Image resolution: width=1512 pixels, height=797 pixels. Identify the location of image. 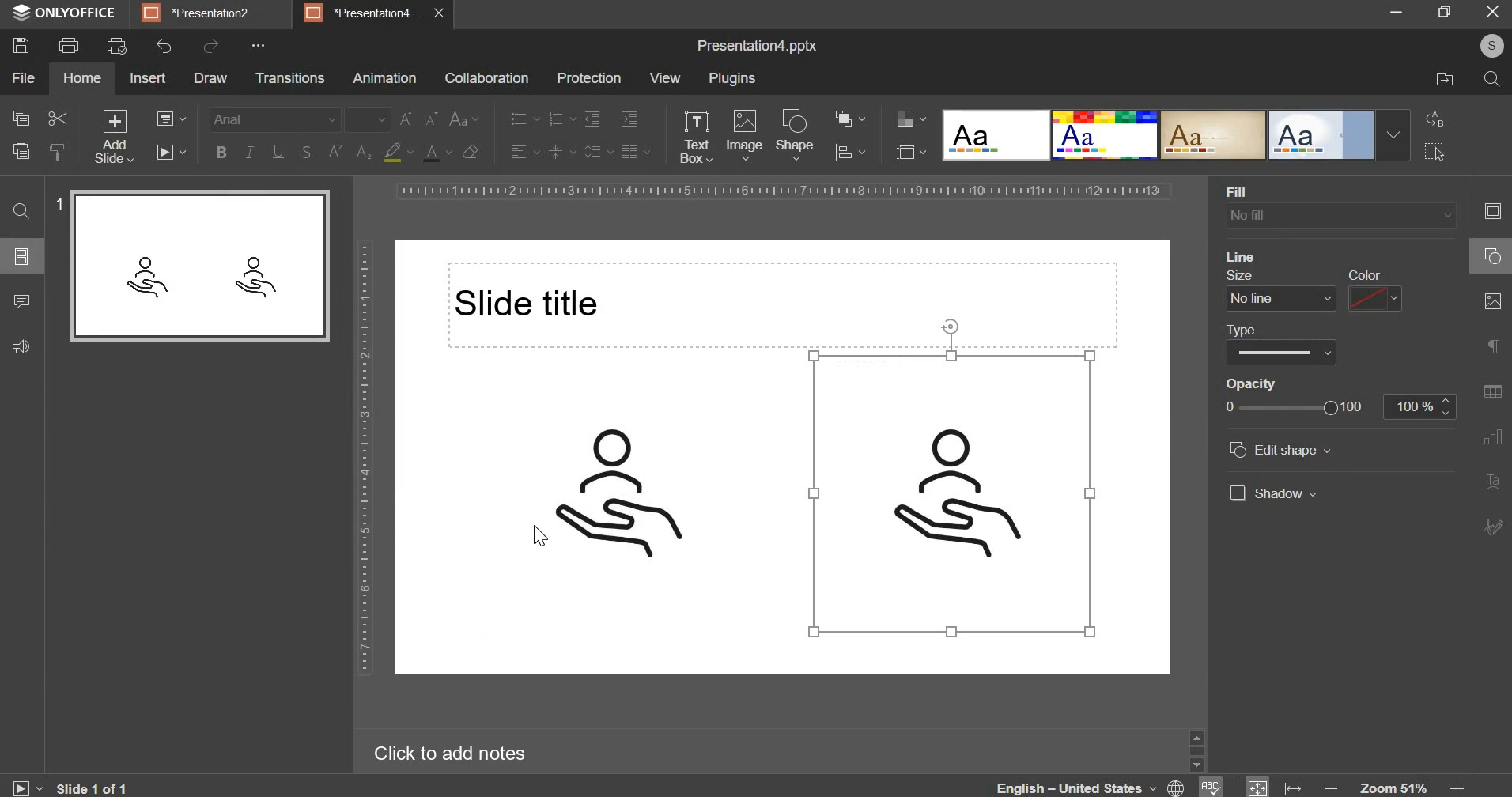
(614, 493).